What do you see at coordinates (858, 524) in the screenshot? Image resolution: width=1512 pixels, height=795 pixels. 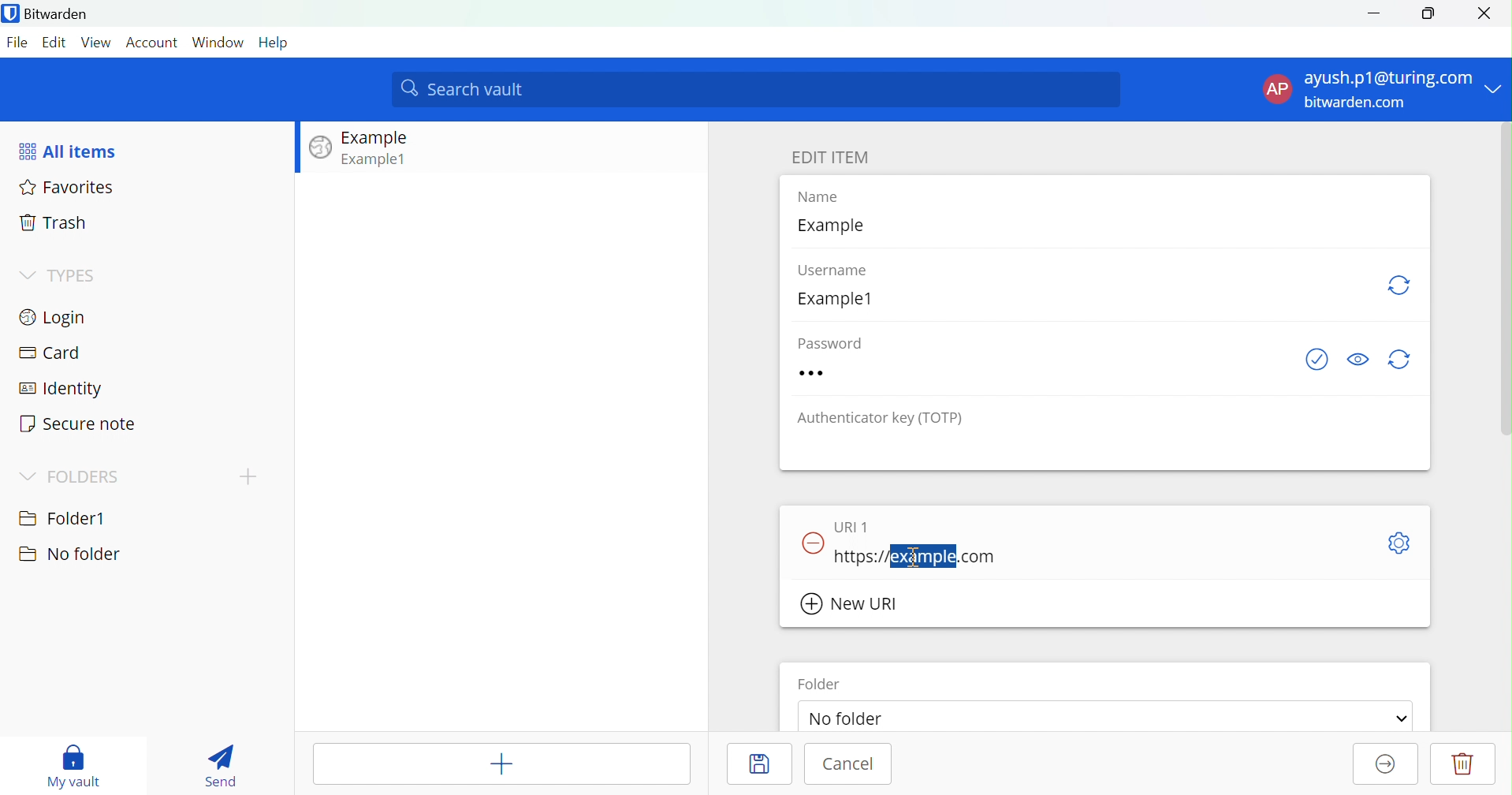 I see `URL 1` at bounding box center [858, 524].